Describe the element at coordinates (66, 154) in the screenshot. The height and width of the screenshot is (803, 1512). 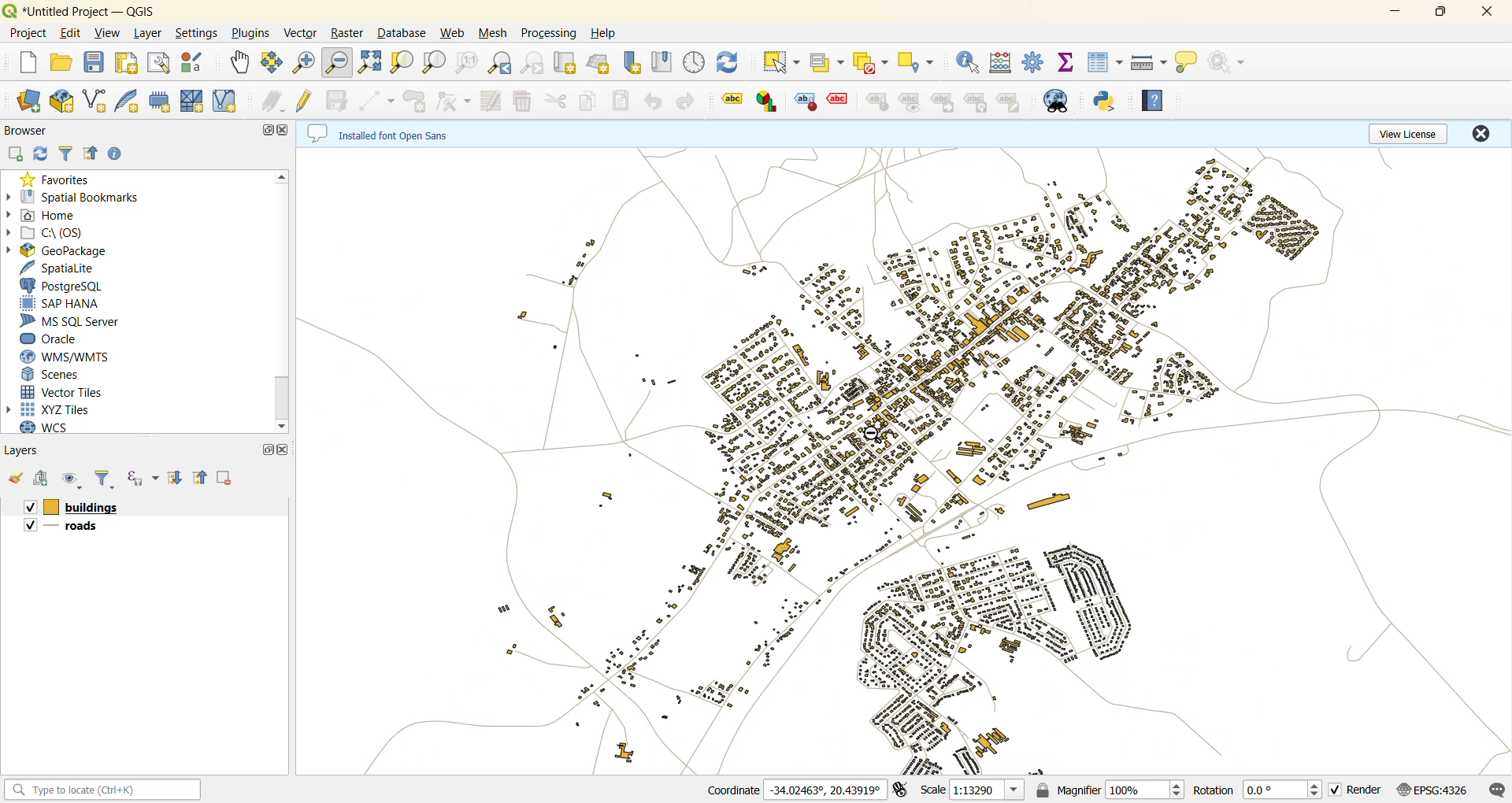
I see `filter` at that location.